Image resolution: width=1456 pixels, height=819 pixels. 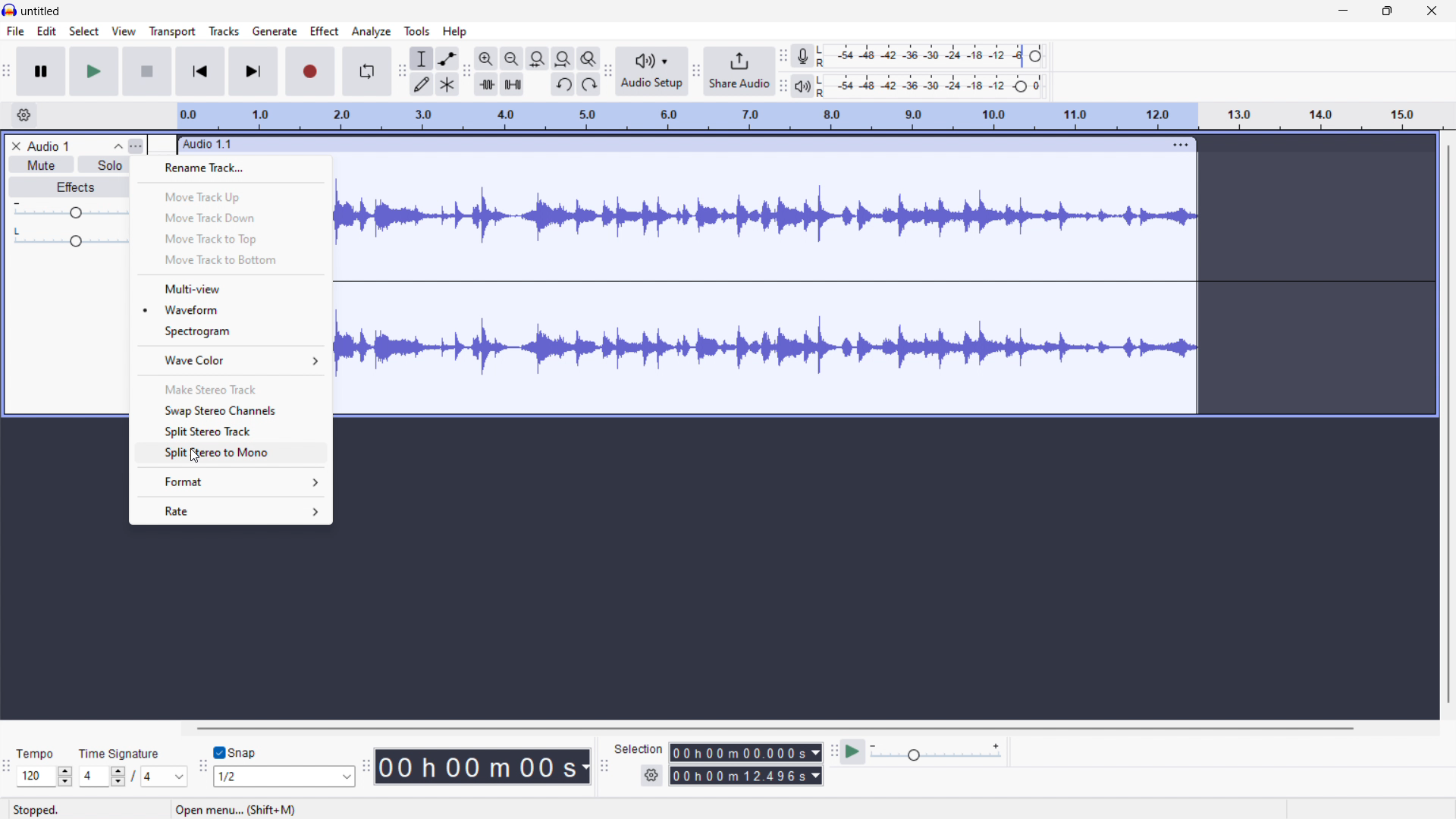 I want to click on close, so click(x=1431, y=11).